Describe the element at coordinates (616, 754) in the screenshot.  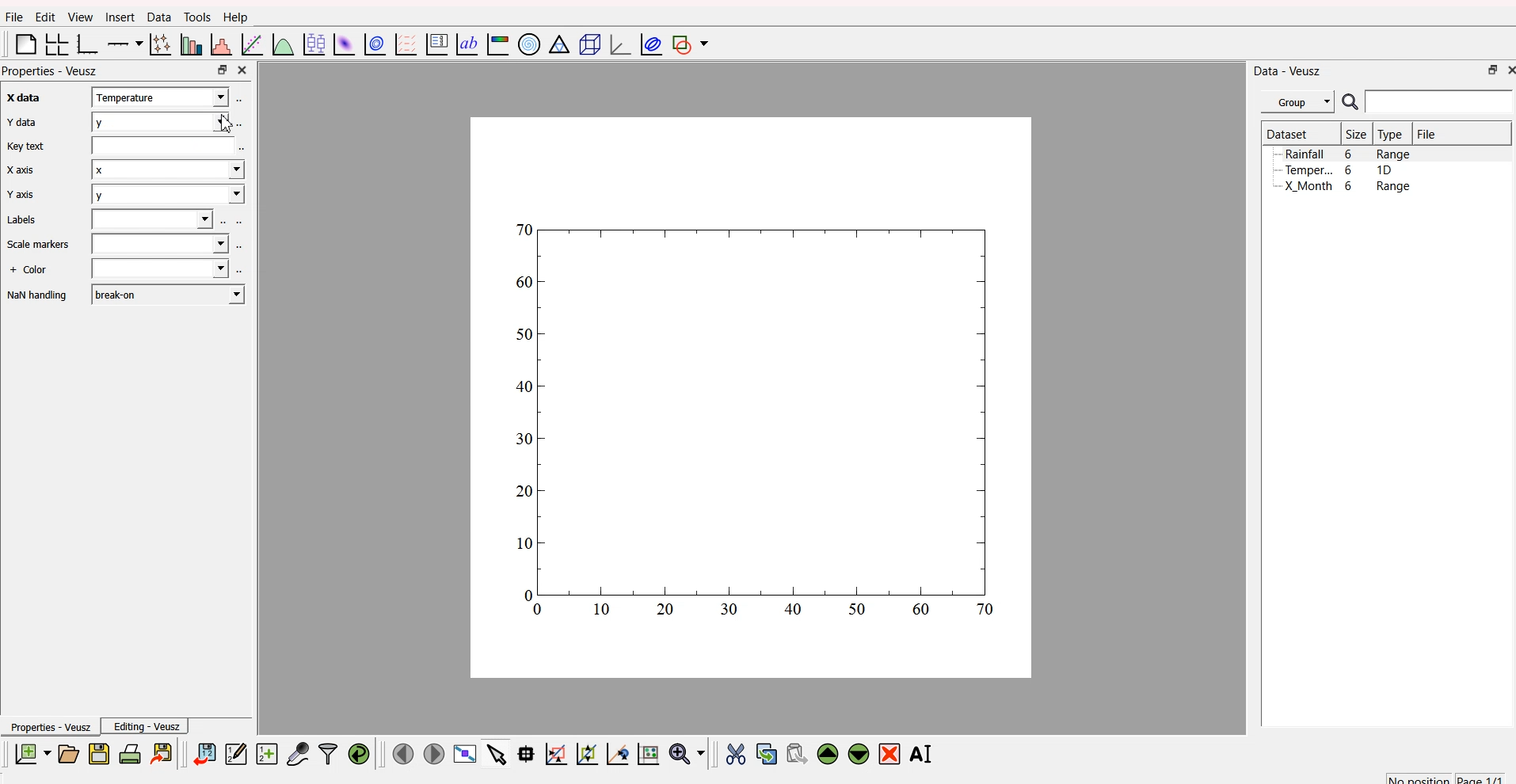
I see `zoom out graph axes` at that location.